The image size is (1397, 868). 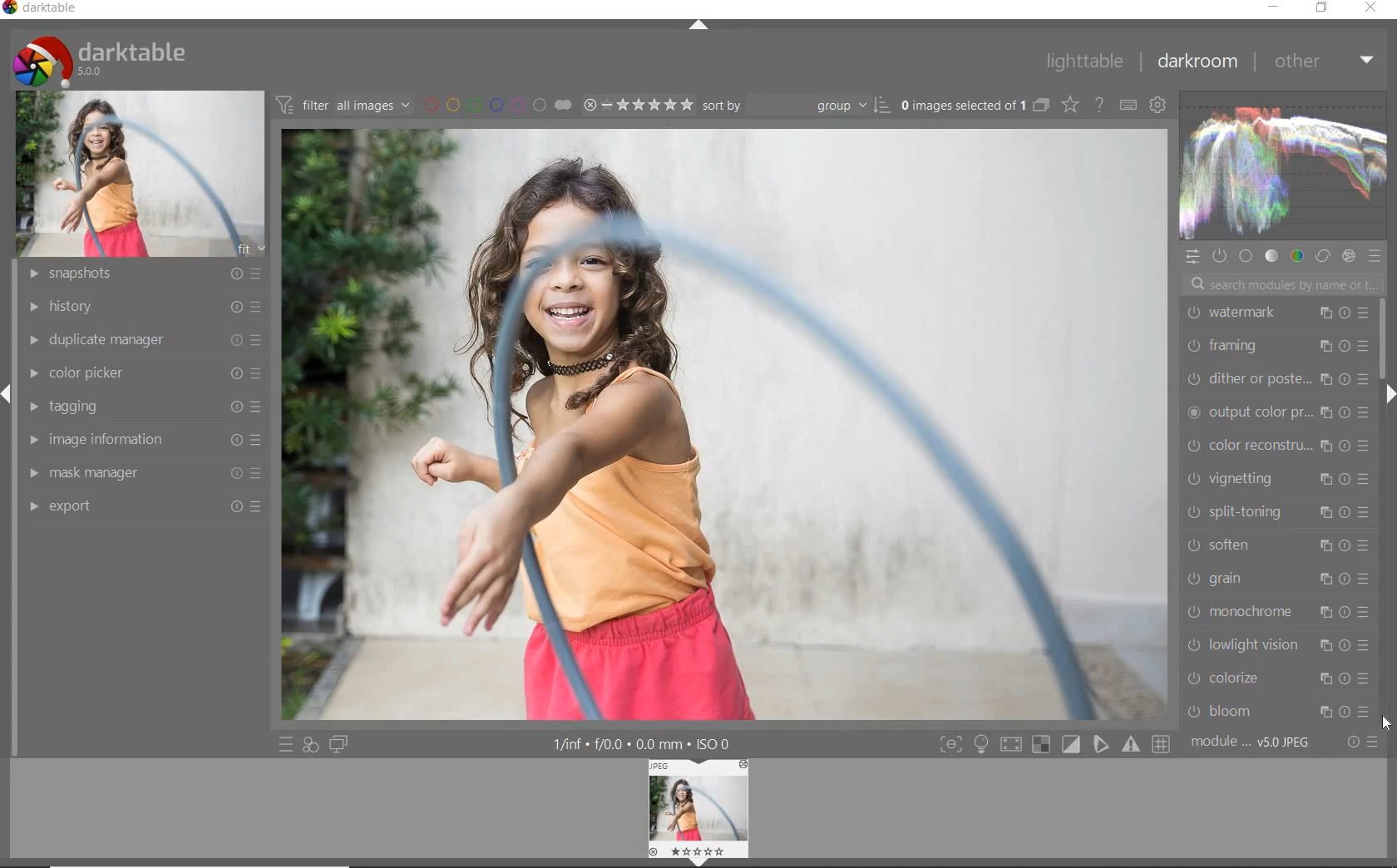 What do you see at coordinates (1040, 106) in the screenshot?
I see `collapse grouped images` at bounding box center [1040, 106].